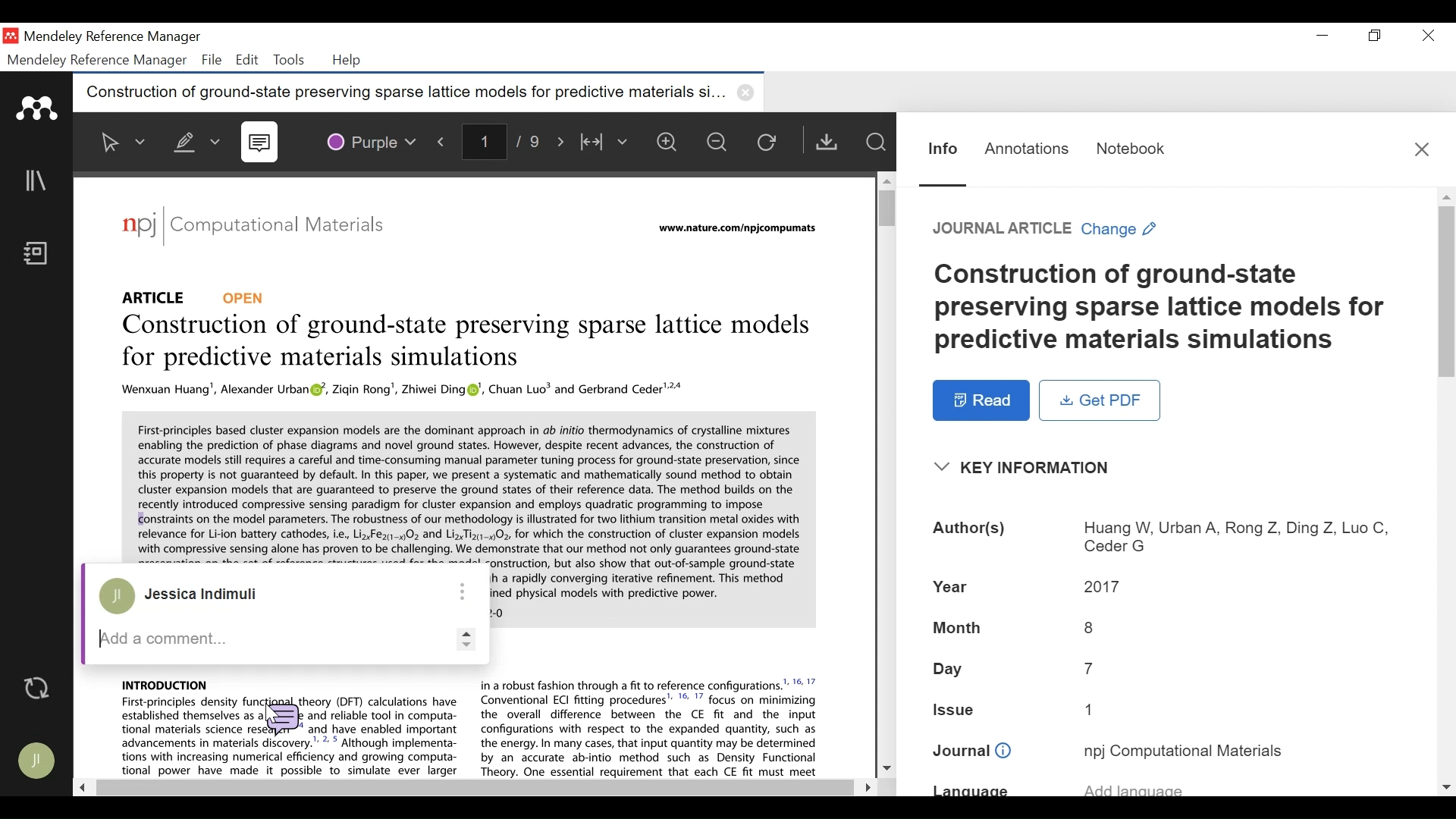 The height and width of the screenshot is (819, 1456). What do you see at coordinates (1166, 587) in the screenshot?
I see `Year` at bounding box center [1166, 587].